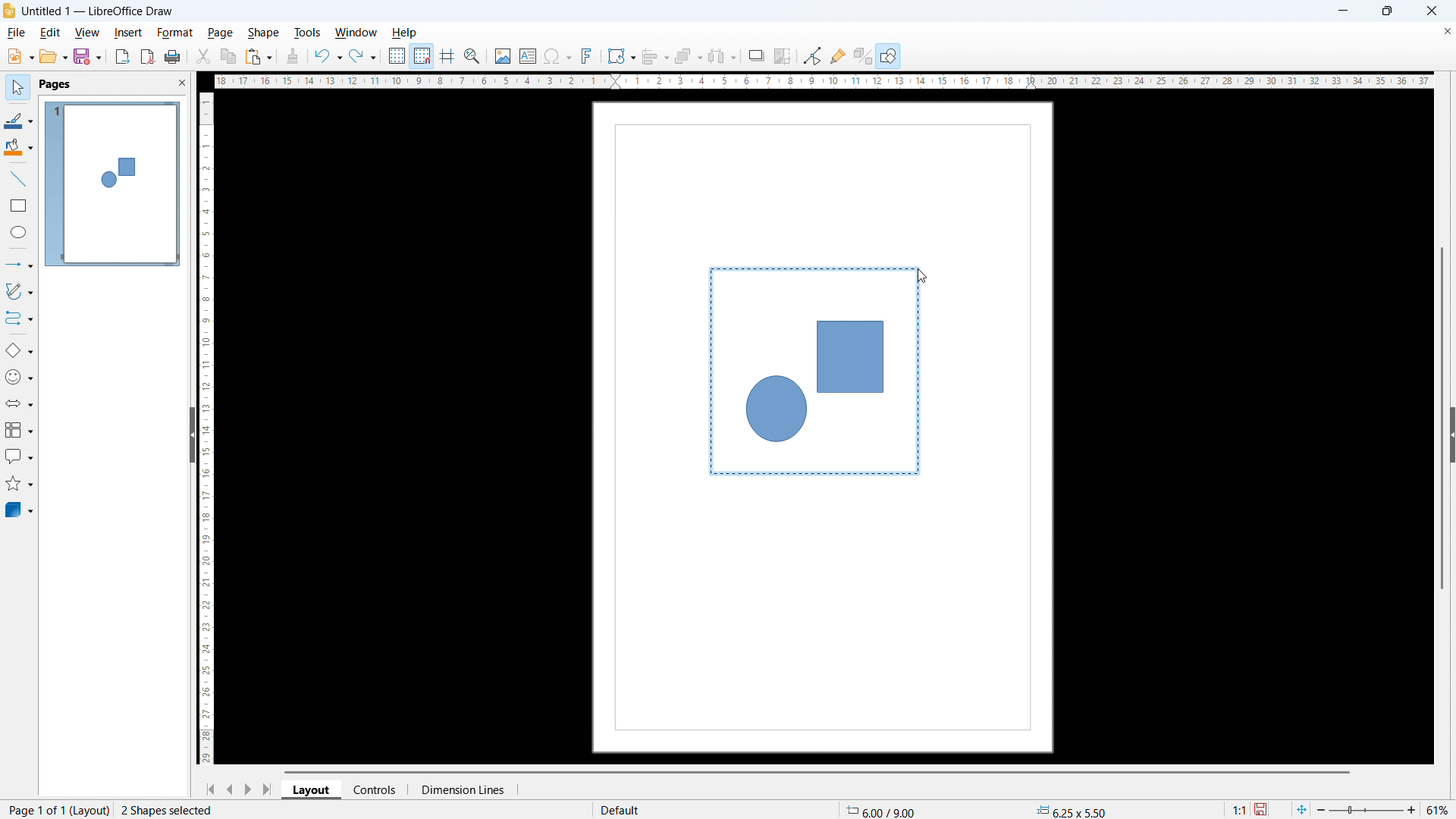 The width and height of the screenshot is (1456, 819). What do you see at coordinates (20, 510) in the screenshot?
I see `3D object` at bounding box center [20, 510].